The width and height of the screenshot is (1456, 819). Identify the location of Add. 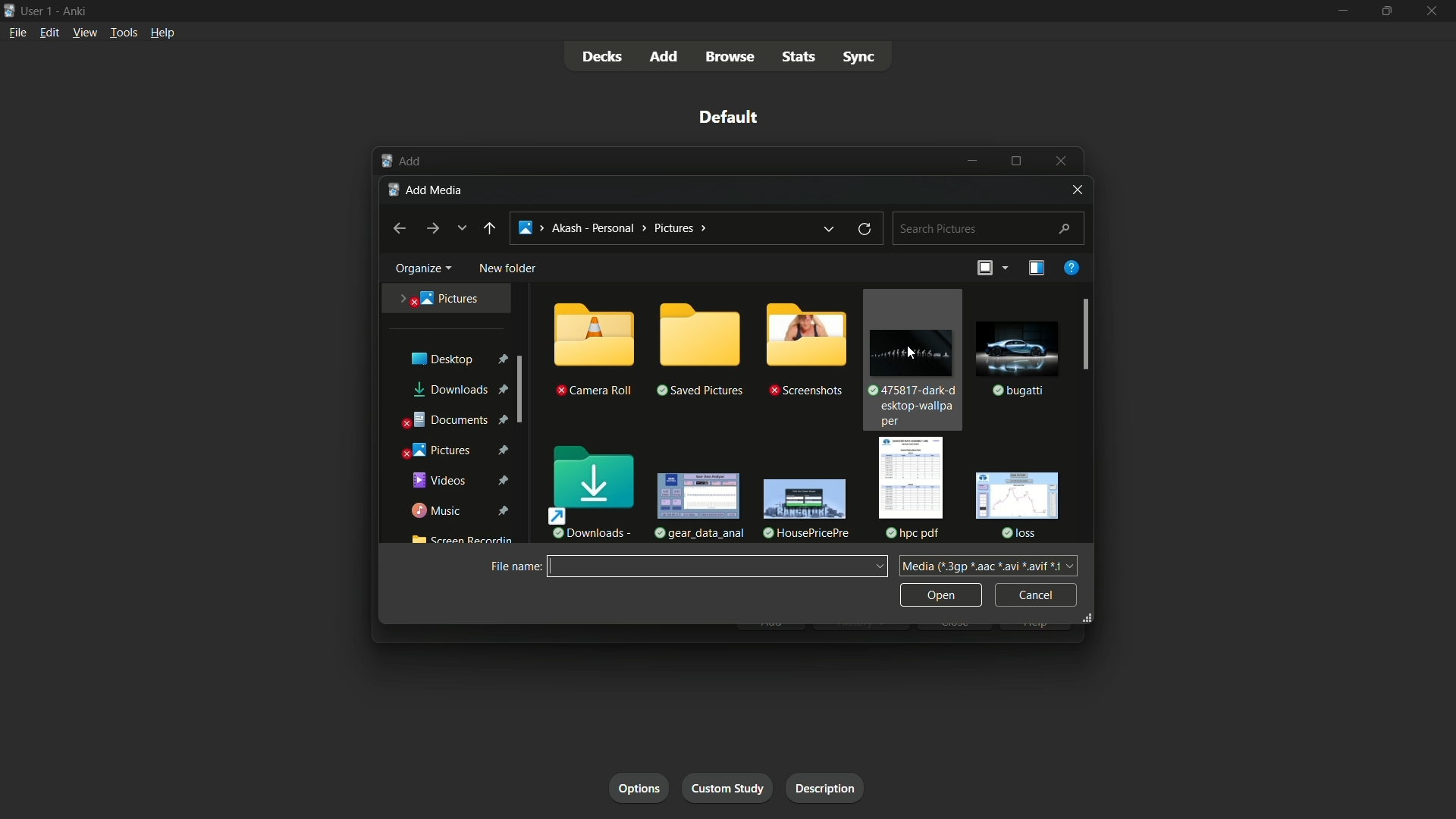
(400, 160).